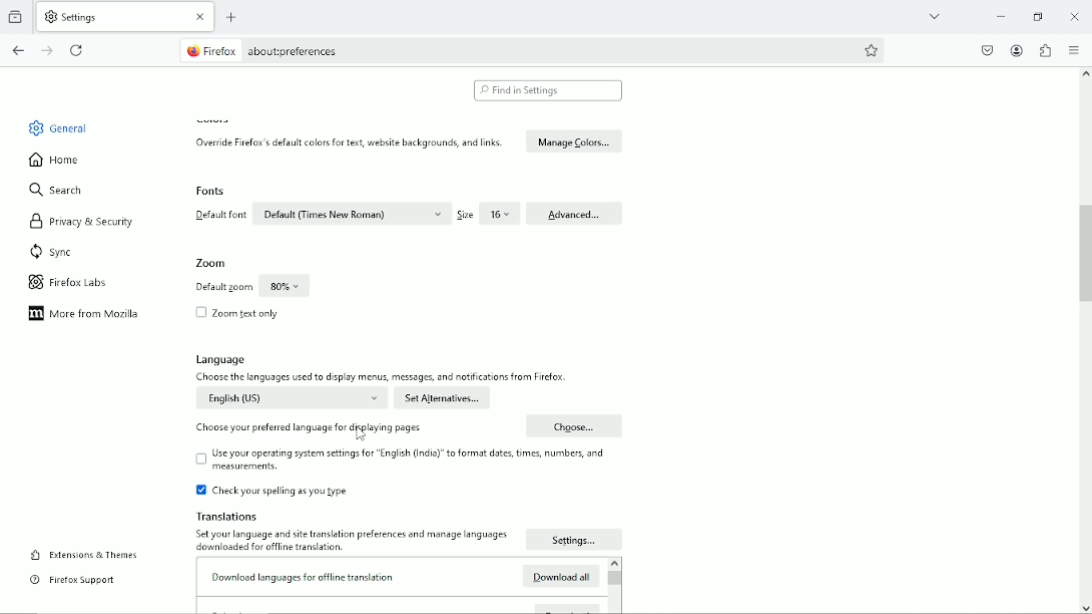 The height and width of the screenshot is (614, 1092). Describe the element at coordinates (321, 214) in the screenshot. I see `Default font: Default (Times New Roman)` at that location.